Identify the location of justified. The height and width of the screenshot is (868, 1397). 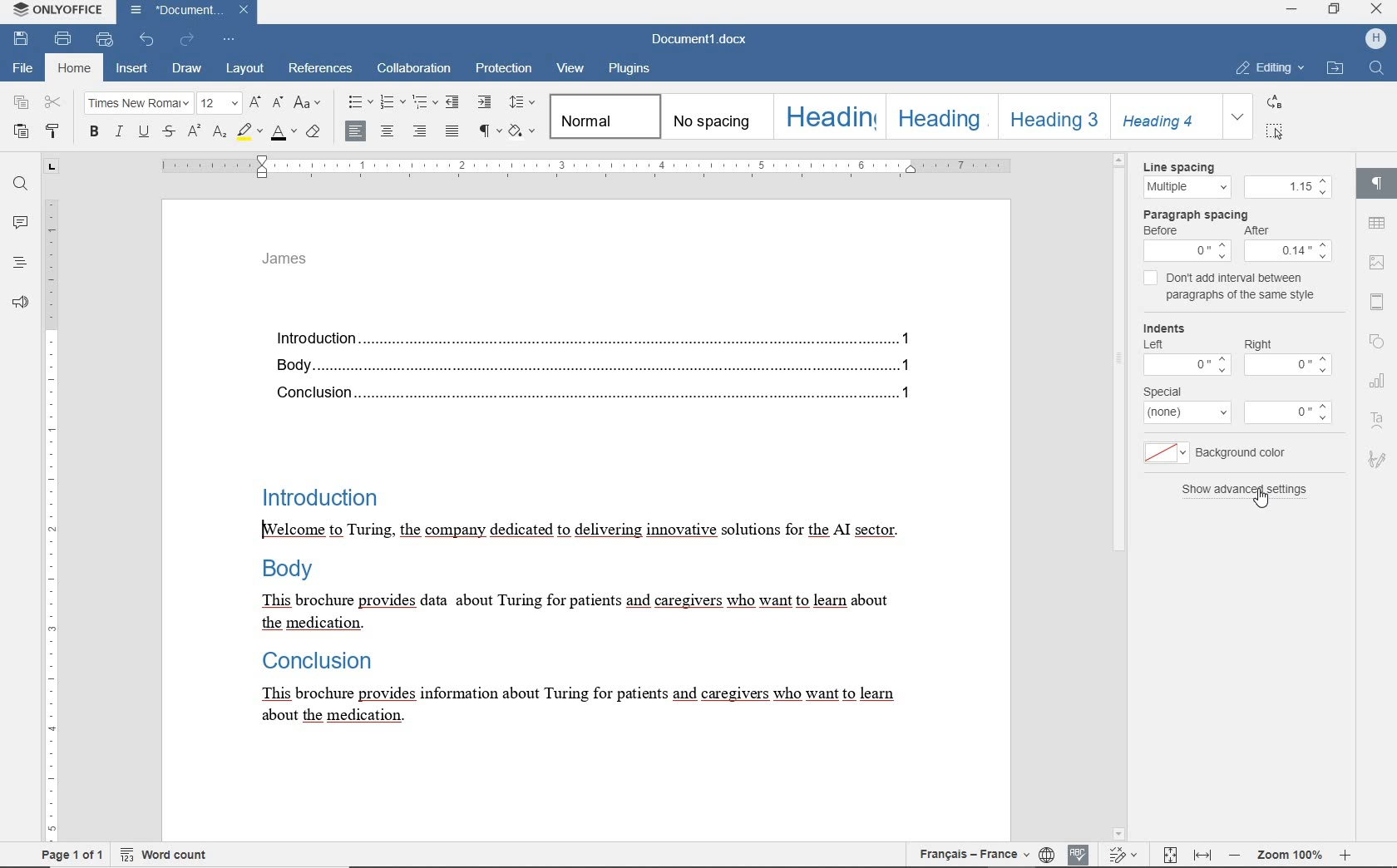
(452, 131).